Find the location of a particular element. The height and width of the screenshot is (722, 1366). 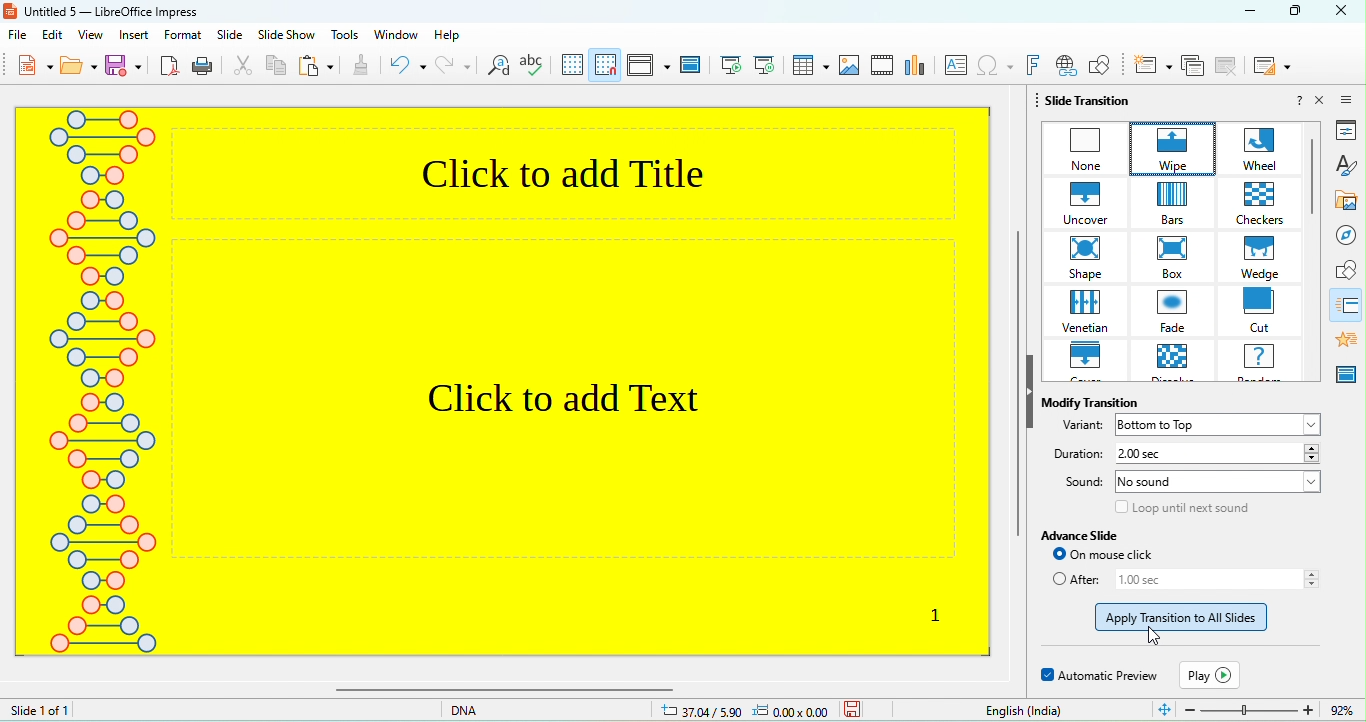

properties is located at coordinates (1340, 131).